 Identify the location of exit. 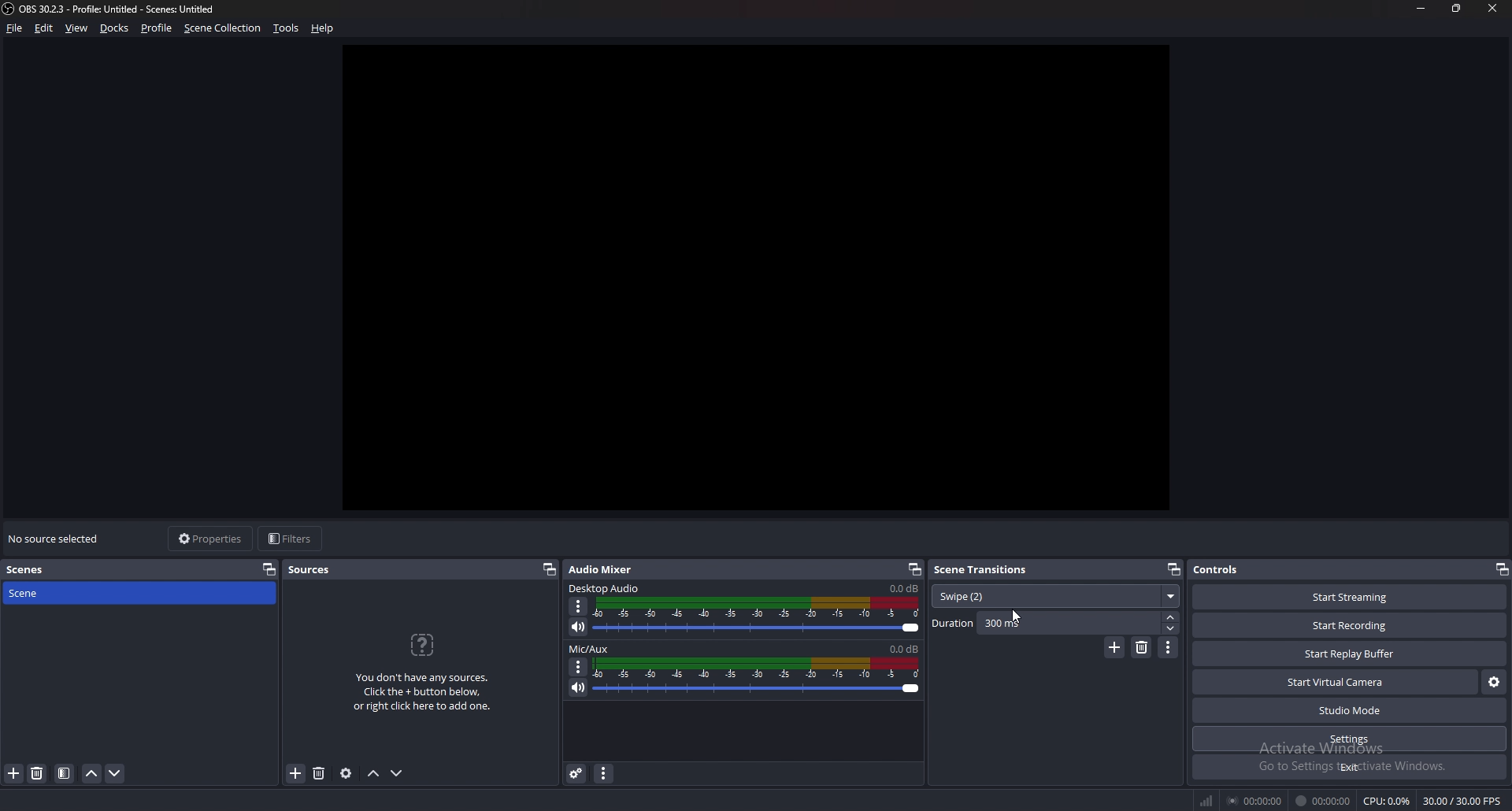
(1350, 767).